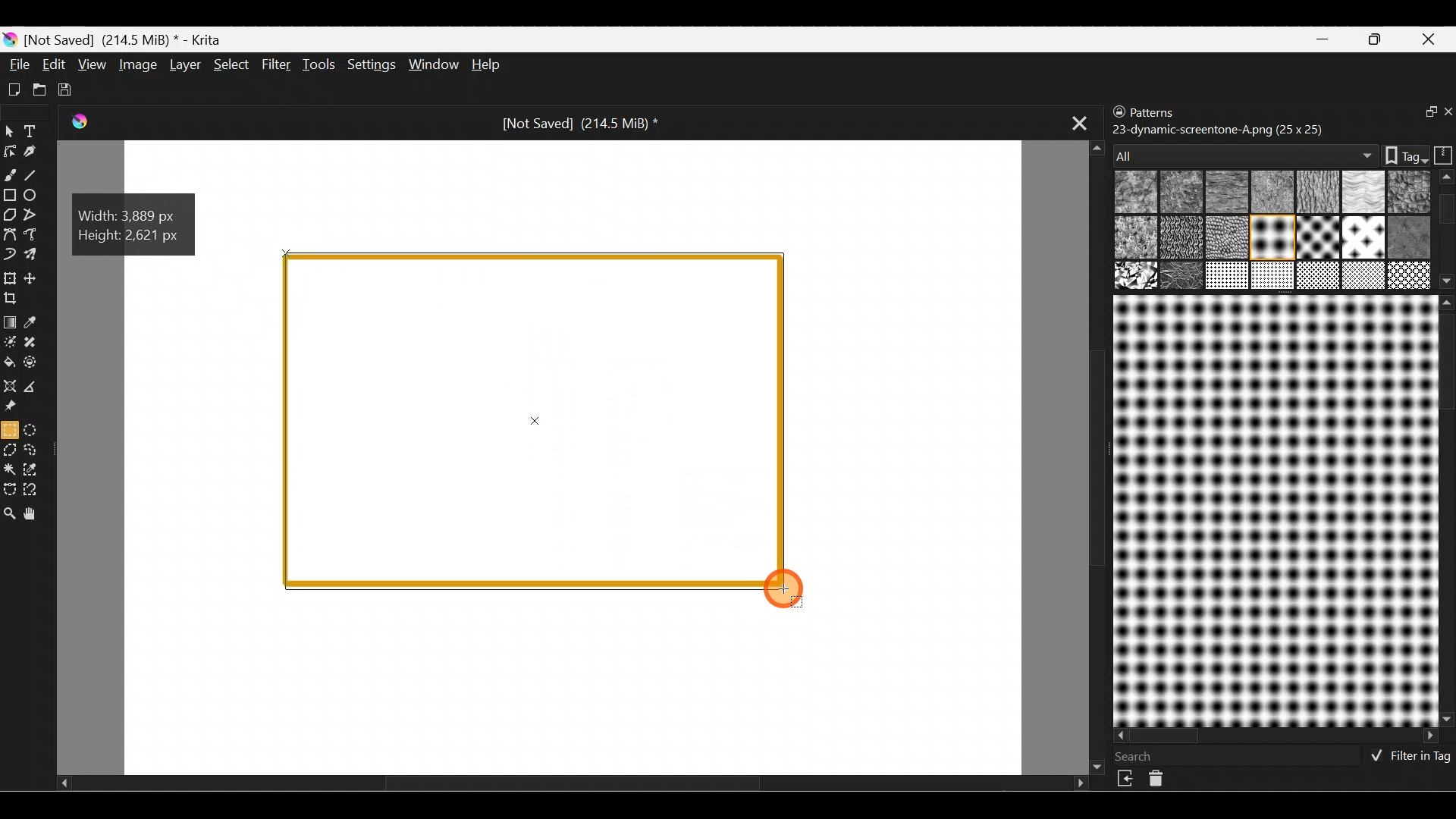  Describe the element at coordinates (276, 63) in the screenshot. I see `Filter` at that location.